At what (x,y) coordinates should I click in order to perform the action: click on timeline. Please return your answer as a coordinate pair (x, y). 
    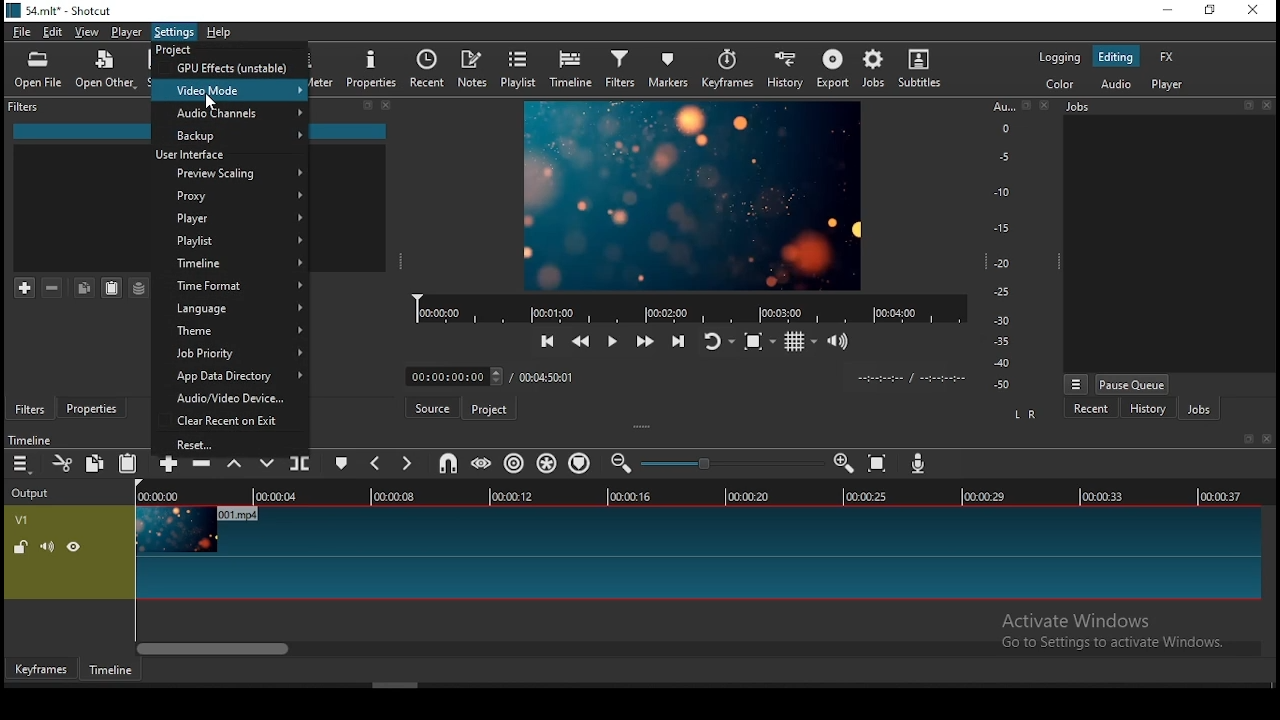
    Looking at the image, I should click on (573, 69).